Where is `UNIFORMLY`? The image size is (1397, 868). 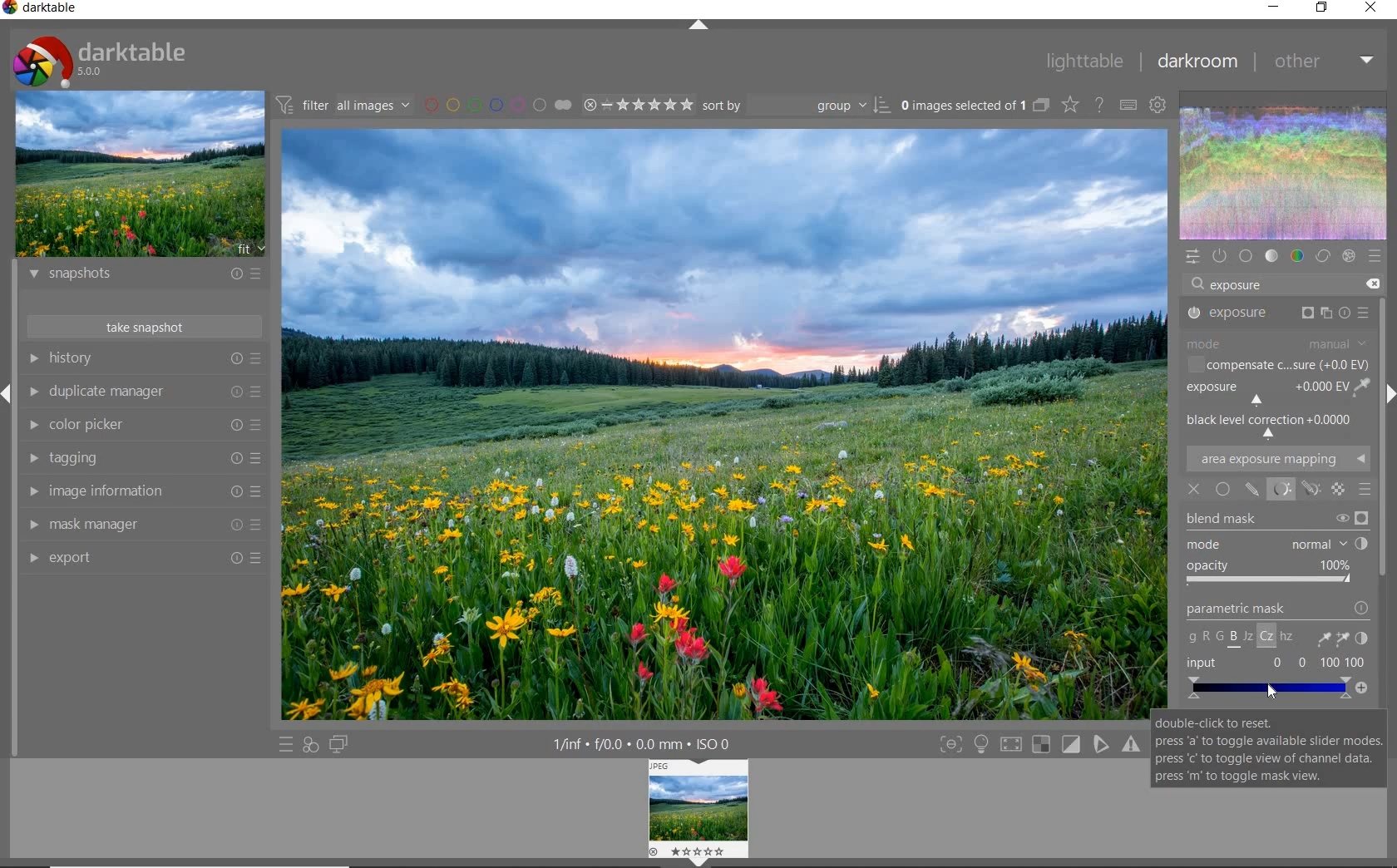 UNIFORMLY is located at coordinates (1223, 487).